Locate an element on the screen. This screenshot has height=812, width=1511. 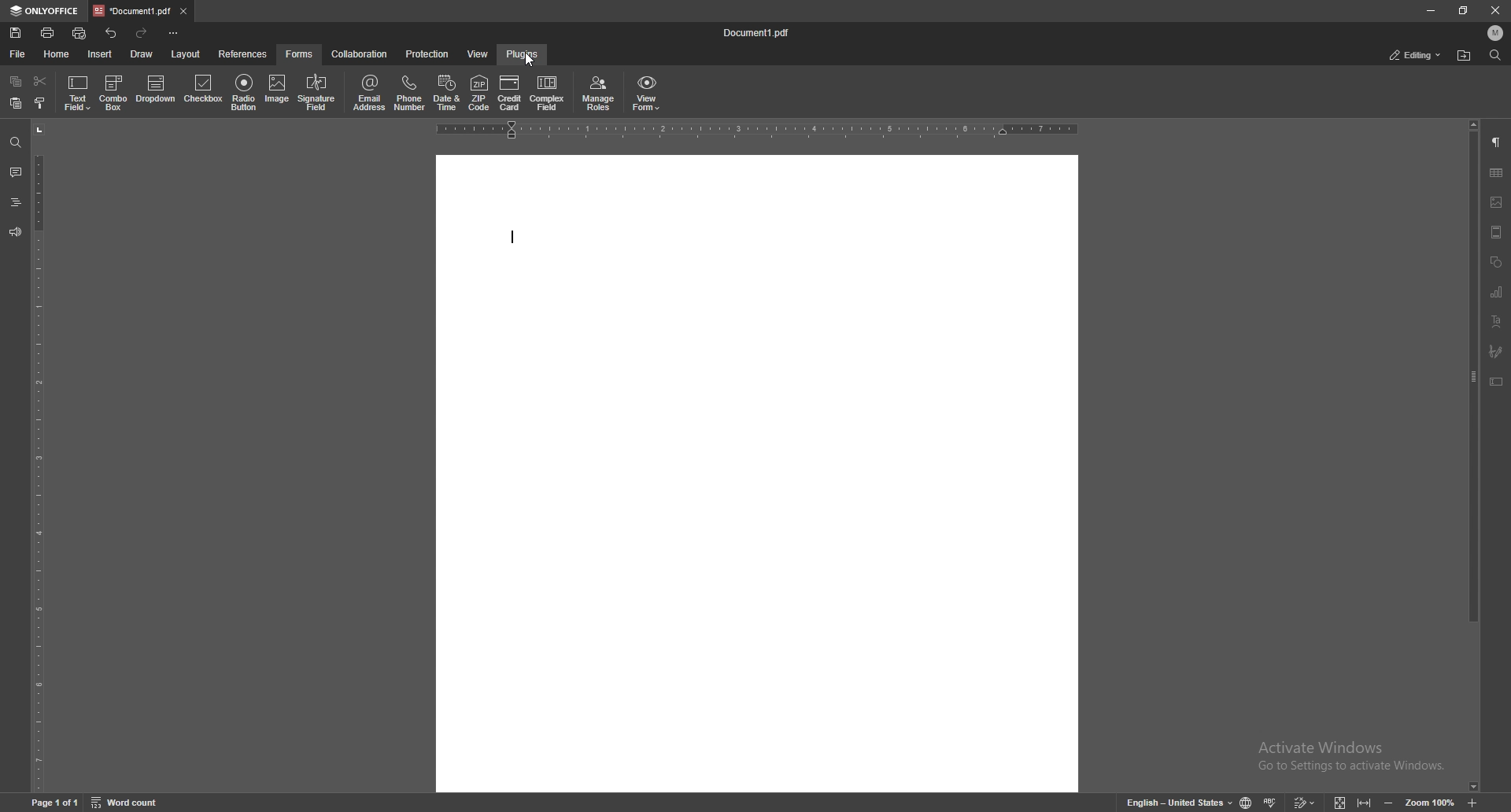
chart is located at coordinates (1498, 293).